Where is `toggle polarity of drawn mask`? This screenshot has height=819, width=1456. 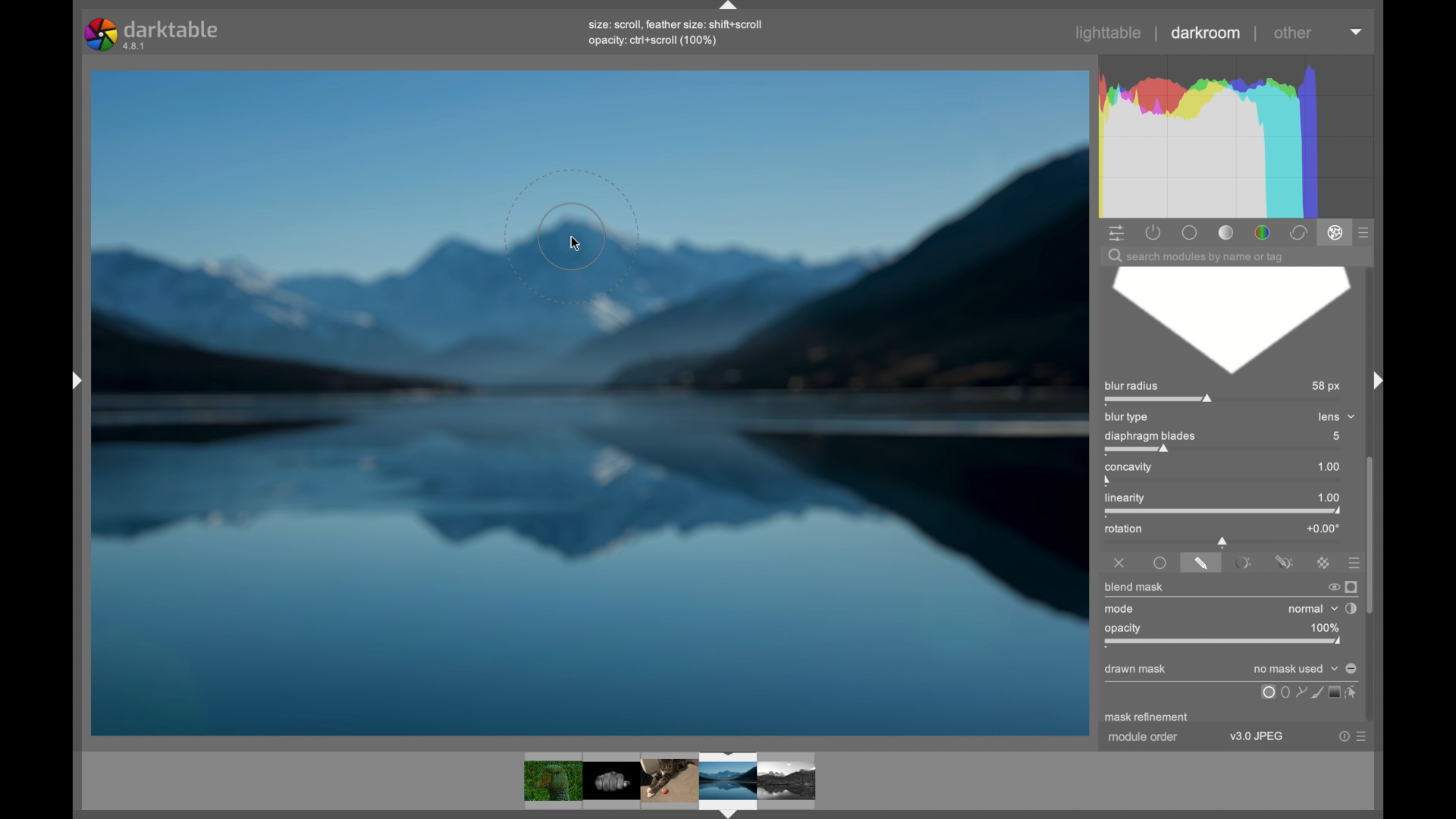
toggle polarity of drawn mask is located at coordinates (1352, 668).